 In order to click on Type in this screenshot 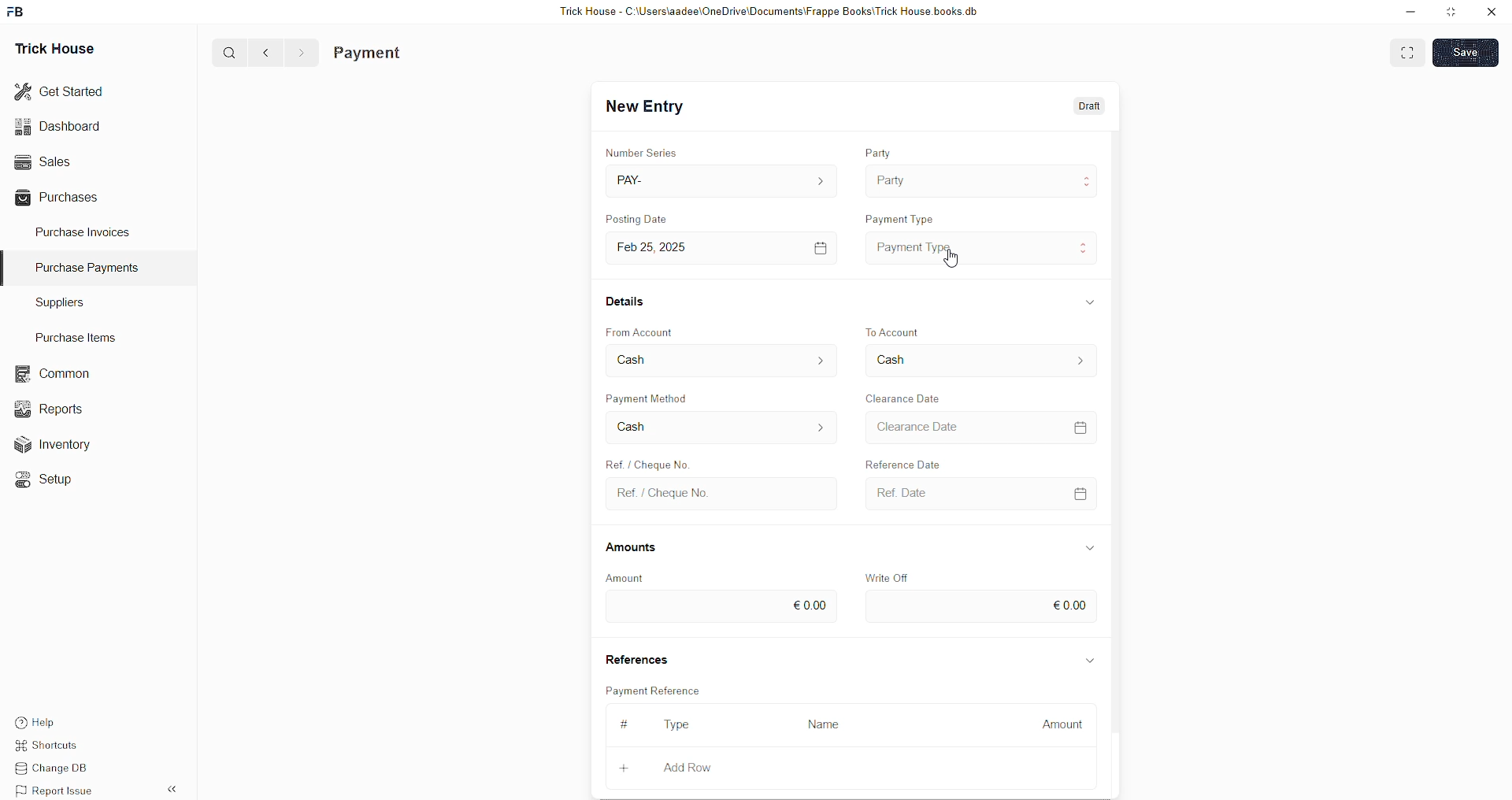, I will do `click(683, 726)`.